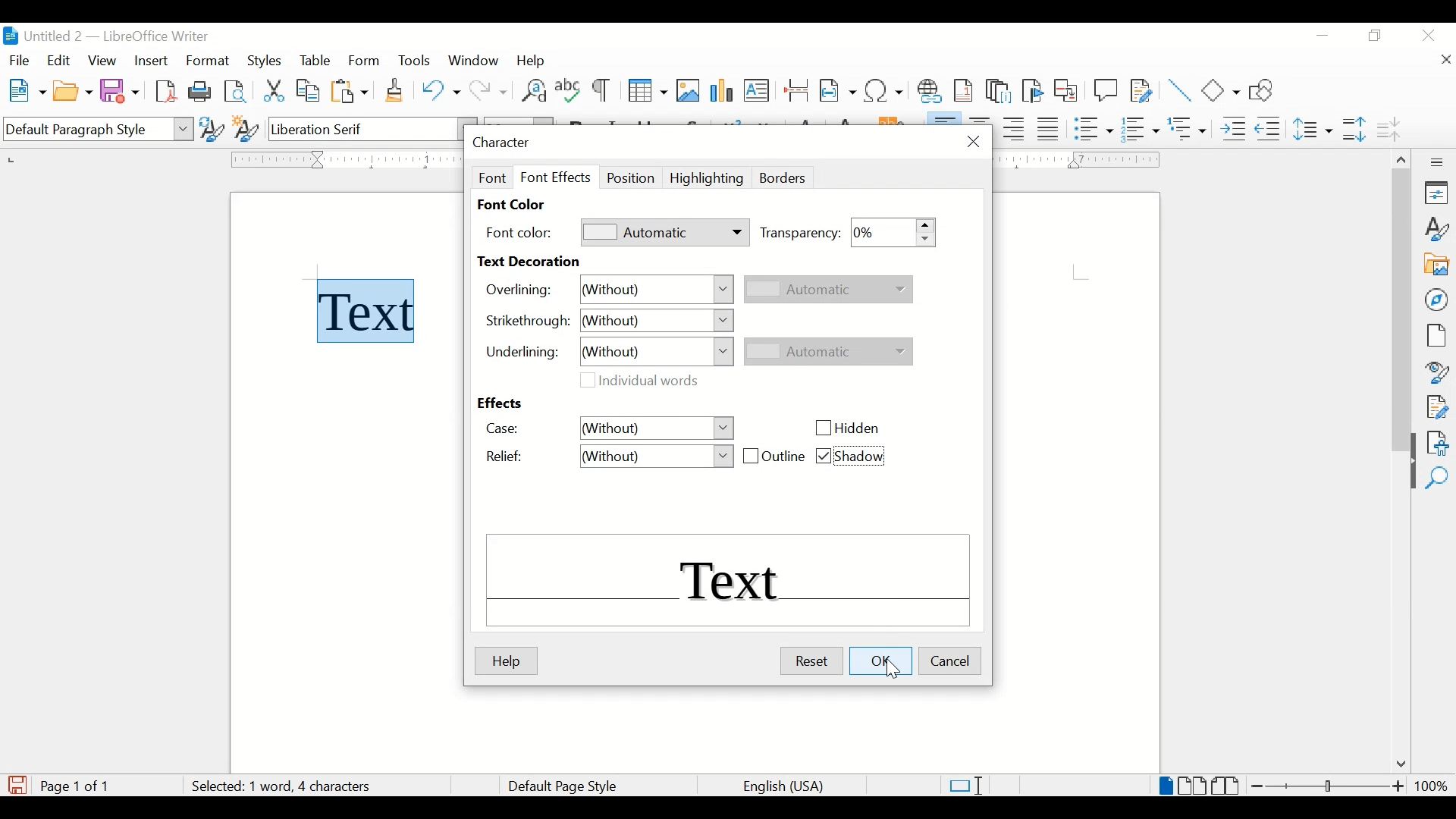  Describe the element at coordinates (60, 60) in the screenshot. I see `edit` at that location.